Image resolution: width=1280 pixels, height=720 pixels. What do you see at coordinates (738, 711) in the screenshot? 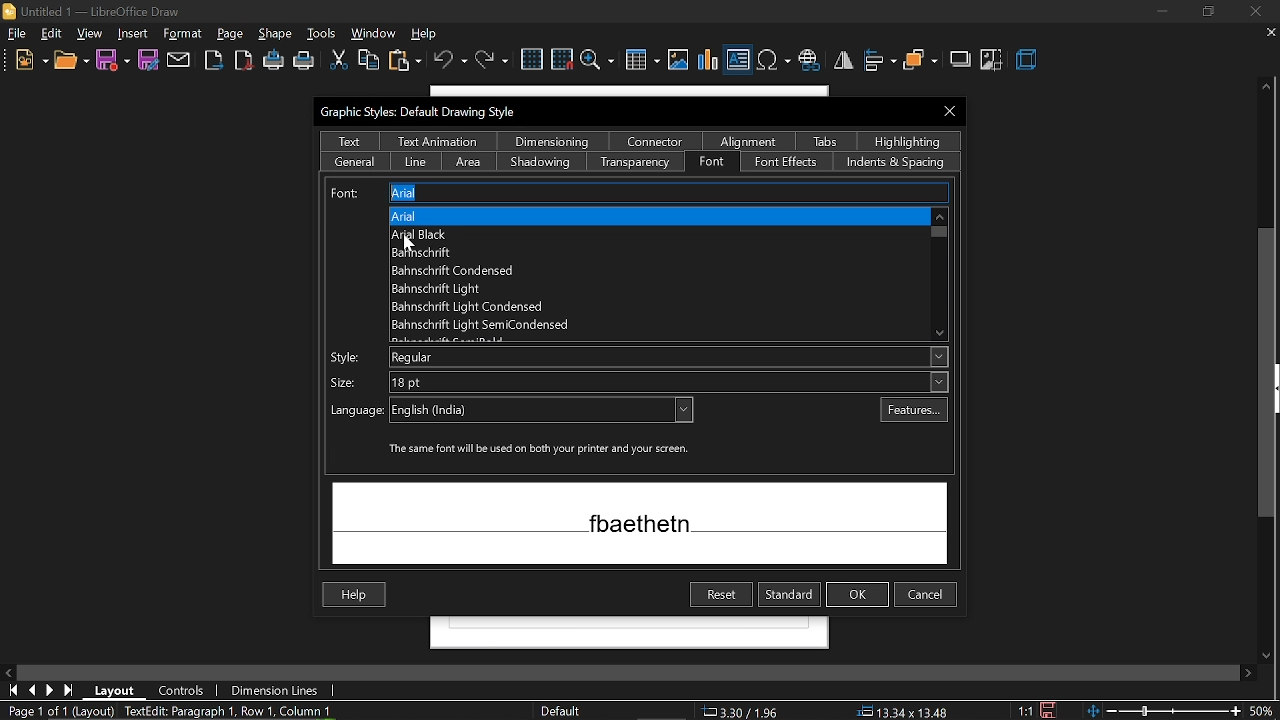
I see `co-ordinates (3.30/1.96)` at bounding box center [738, 711].